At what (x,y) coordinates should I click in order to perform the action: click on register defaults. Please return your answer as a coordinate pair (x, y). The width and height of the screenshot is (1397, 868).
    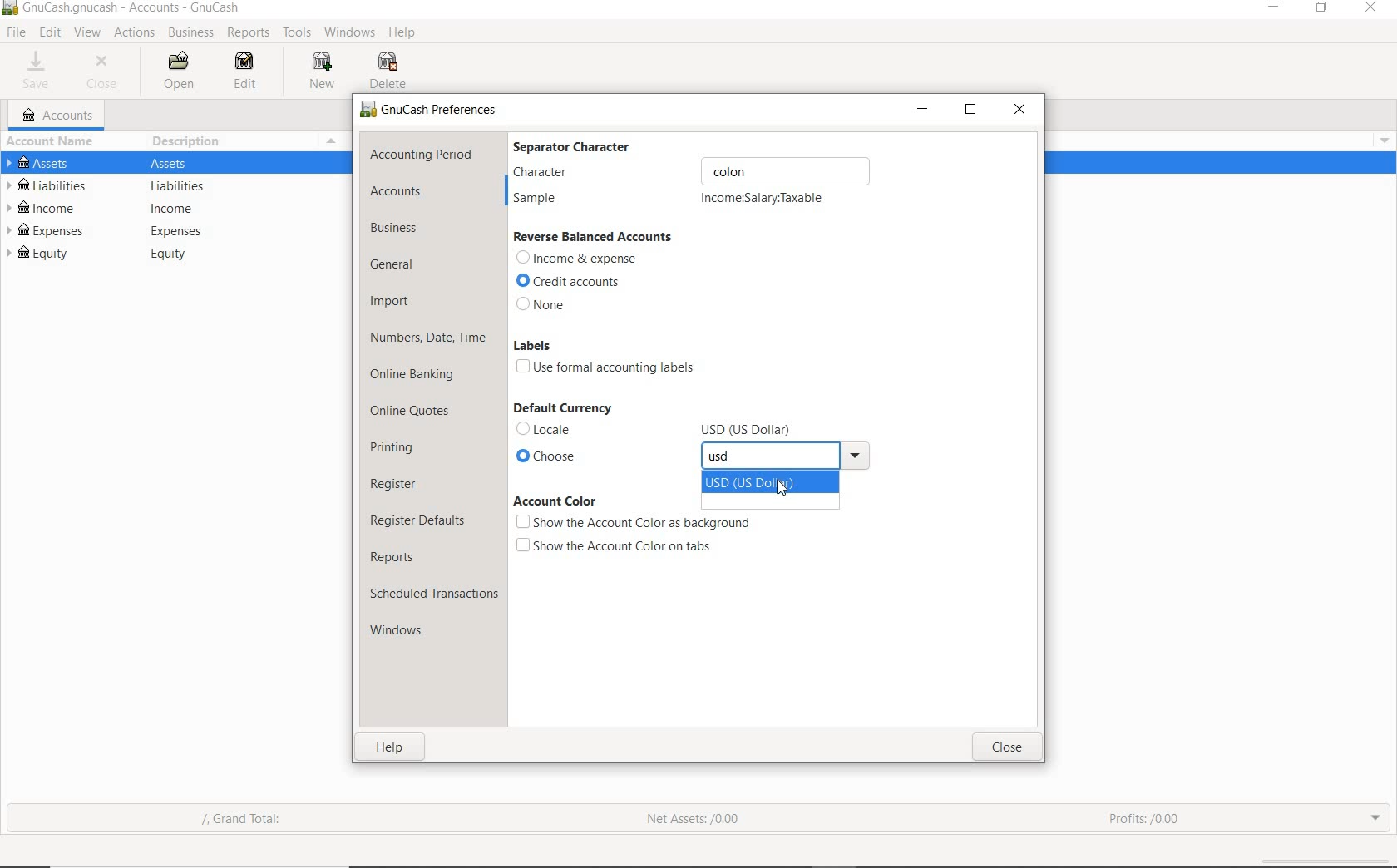
    Looking at the image, I should click on (420, 519).